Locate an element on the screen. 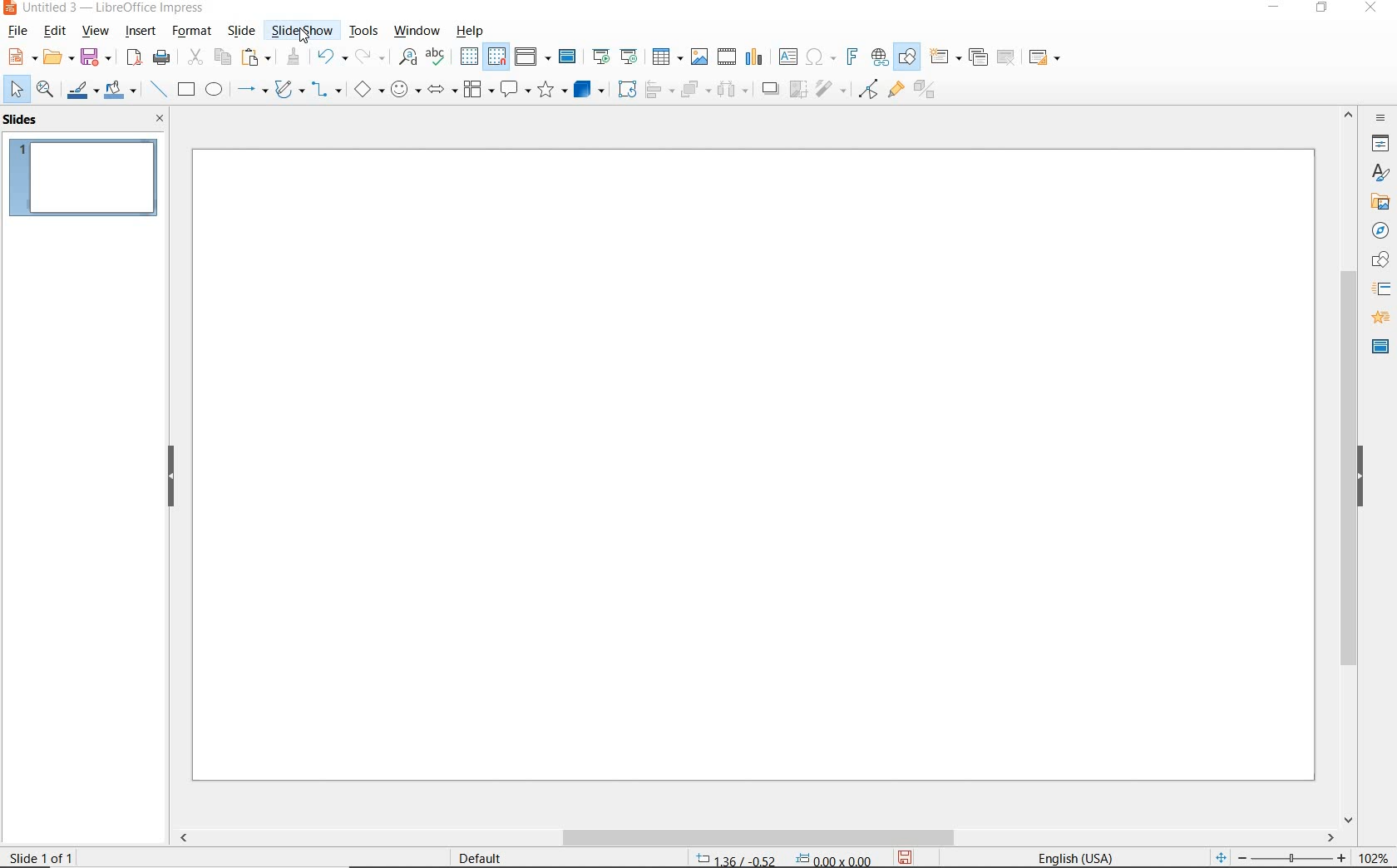 The width and height of the screenshot is (1397, 868). RESTORE DOWN is located at coordinates (1323, 8).